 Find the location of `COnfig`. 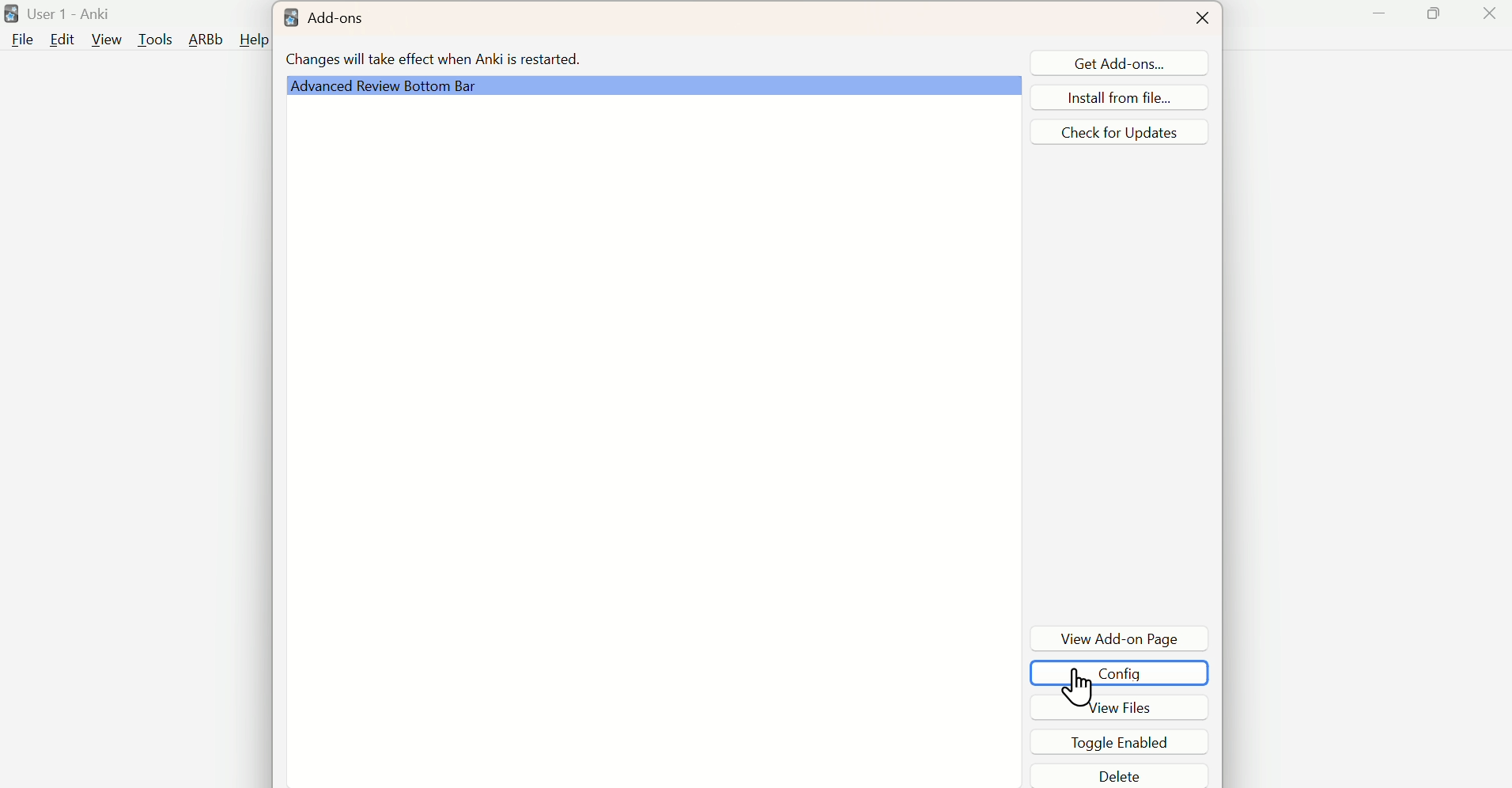

COnfig is located at coordinates (1140, 670).